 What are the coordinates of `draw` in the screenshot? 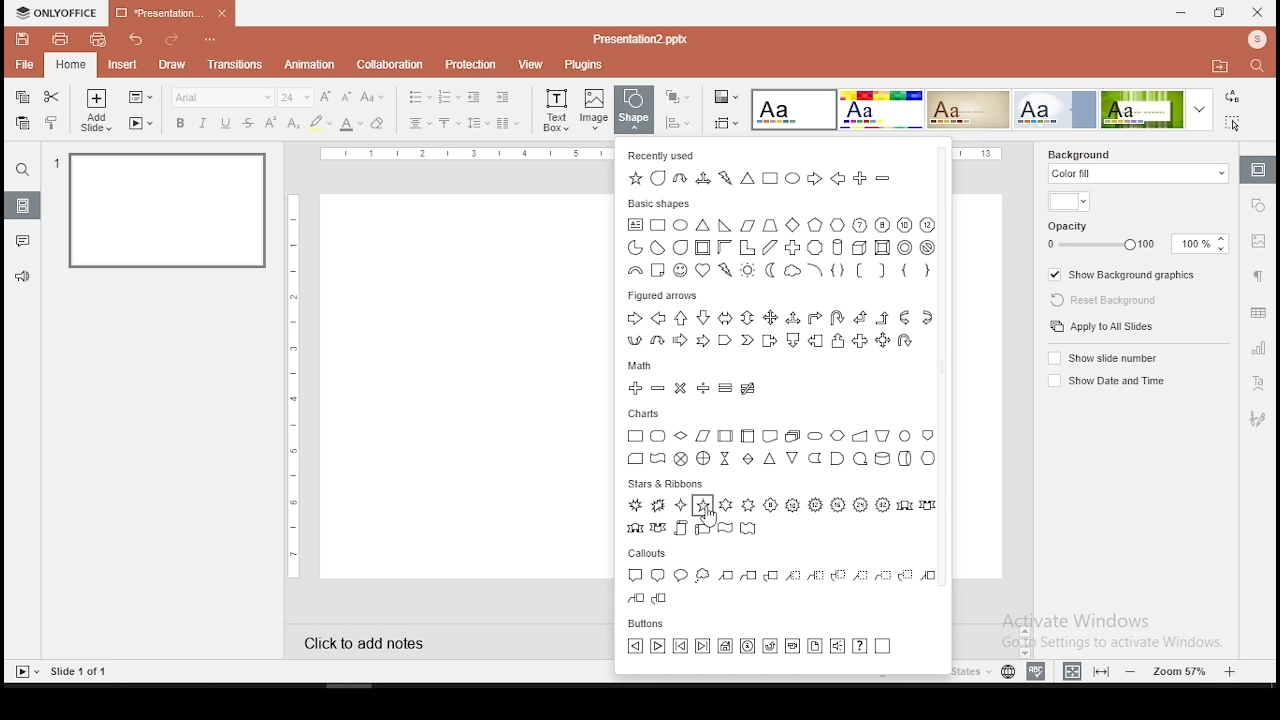 It's located at (173, 65).